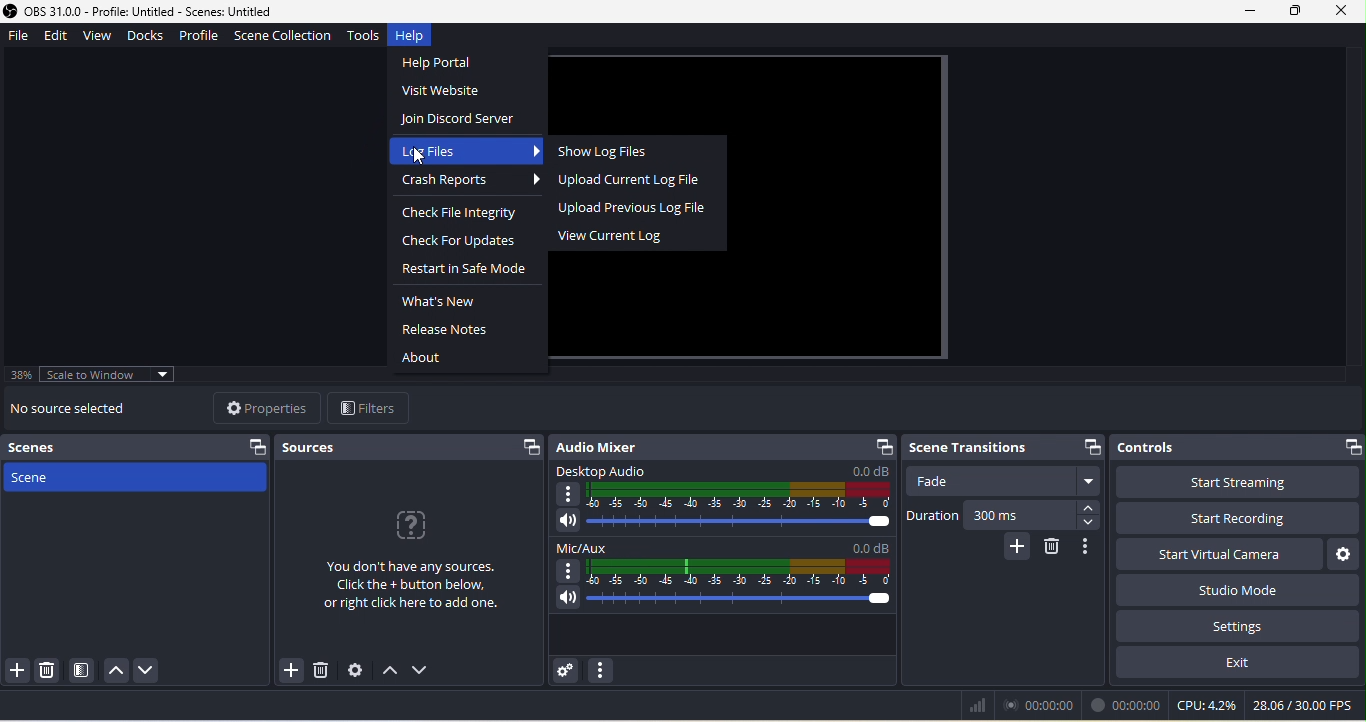 The height and width of the screenshot is (722, 1366). I want to click on view current log, so click(617, 237).